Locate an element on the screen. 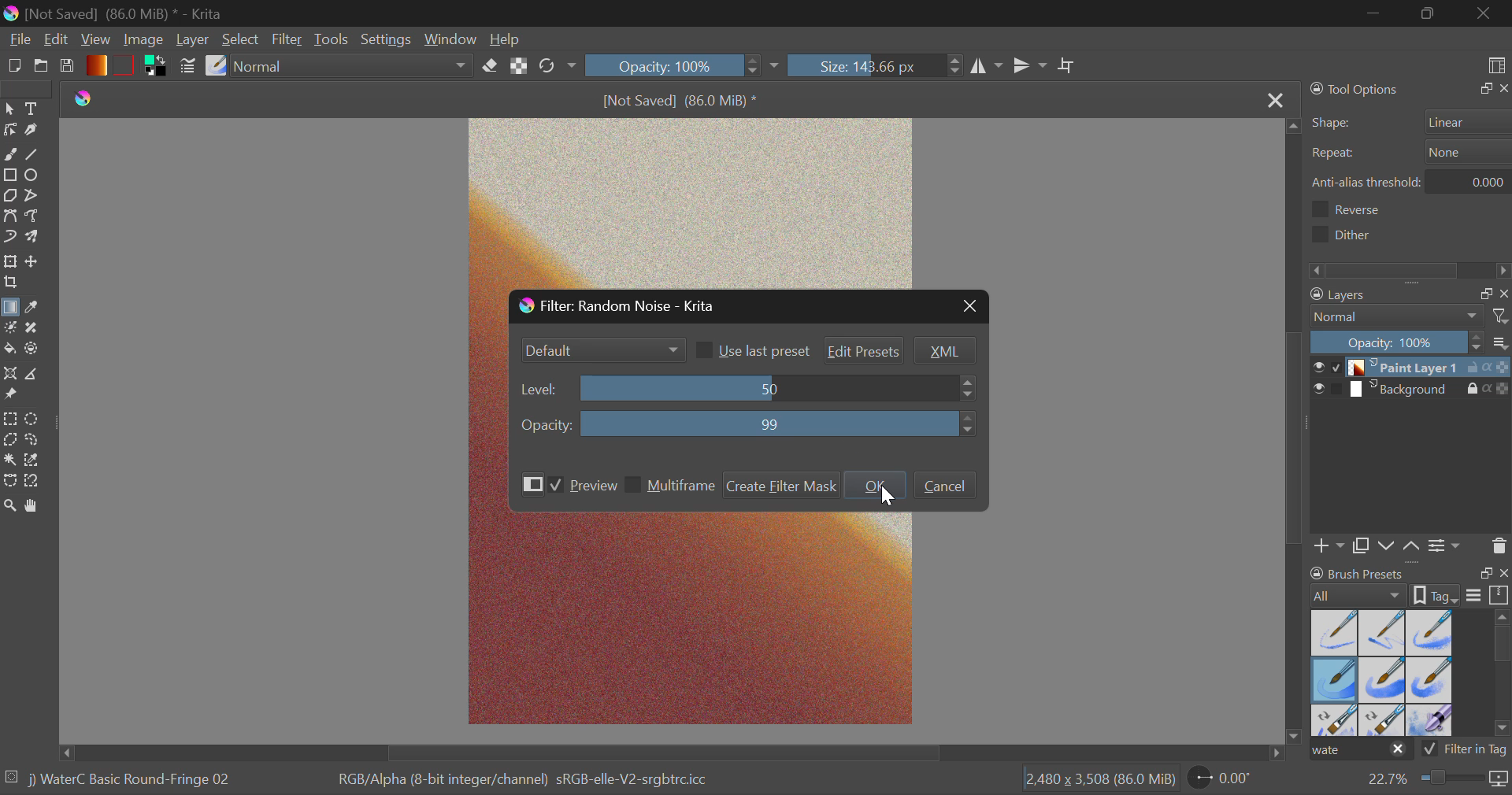  anti-alias threshold  is located at coordinates (1474, 179).